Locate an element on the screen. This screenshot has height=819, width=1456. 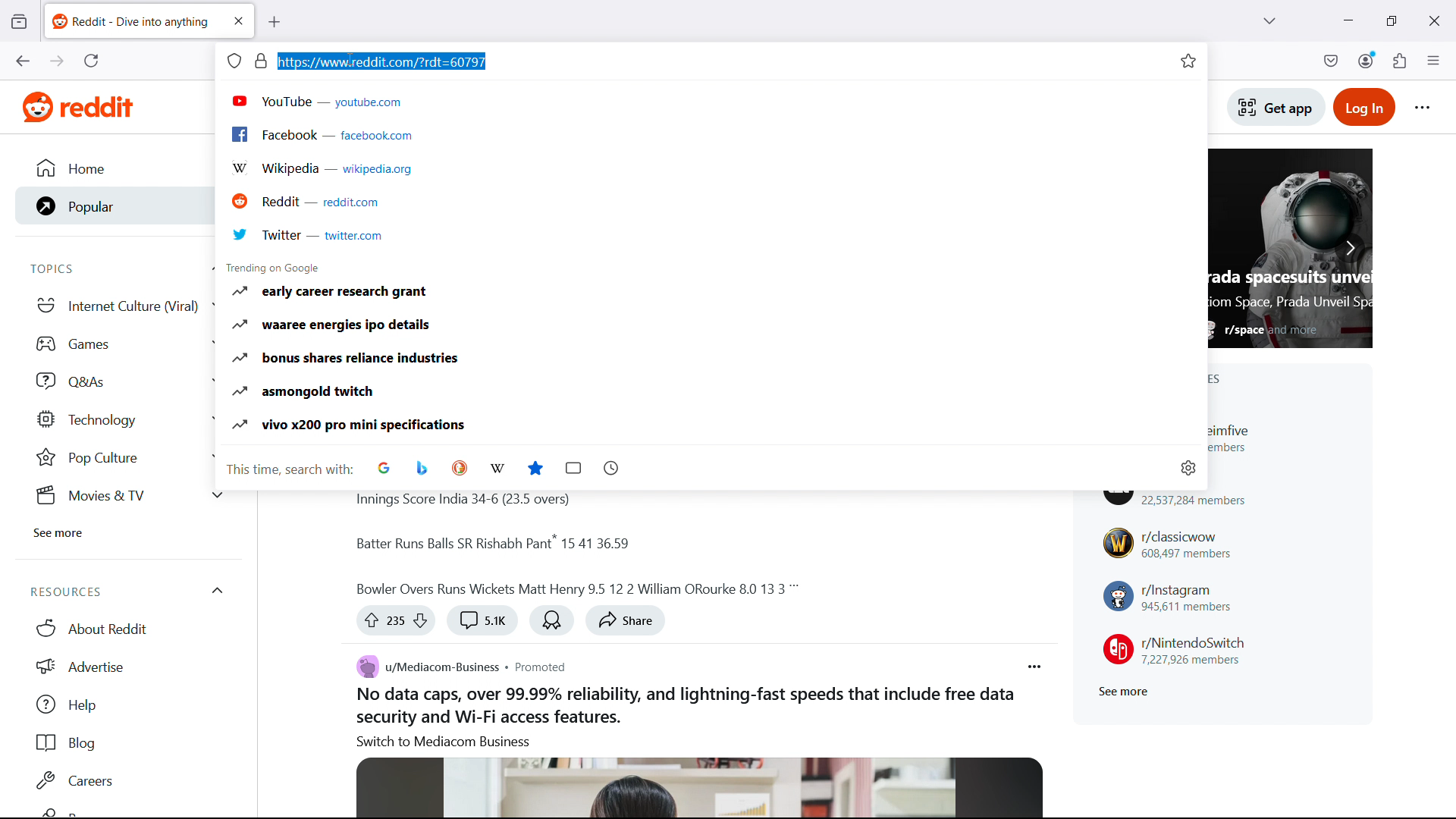
URL selected is located at coordinates (382, 61).